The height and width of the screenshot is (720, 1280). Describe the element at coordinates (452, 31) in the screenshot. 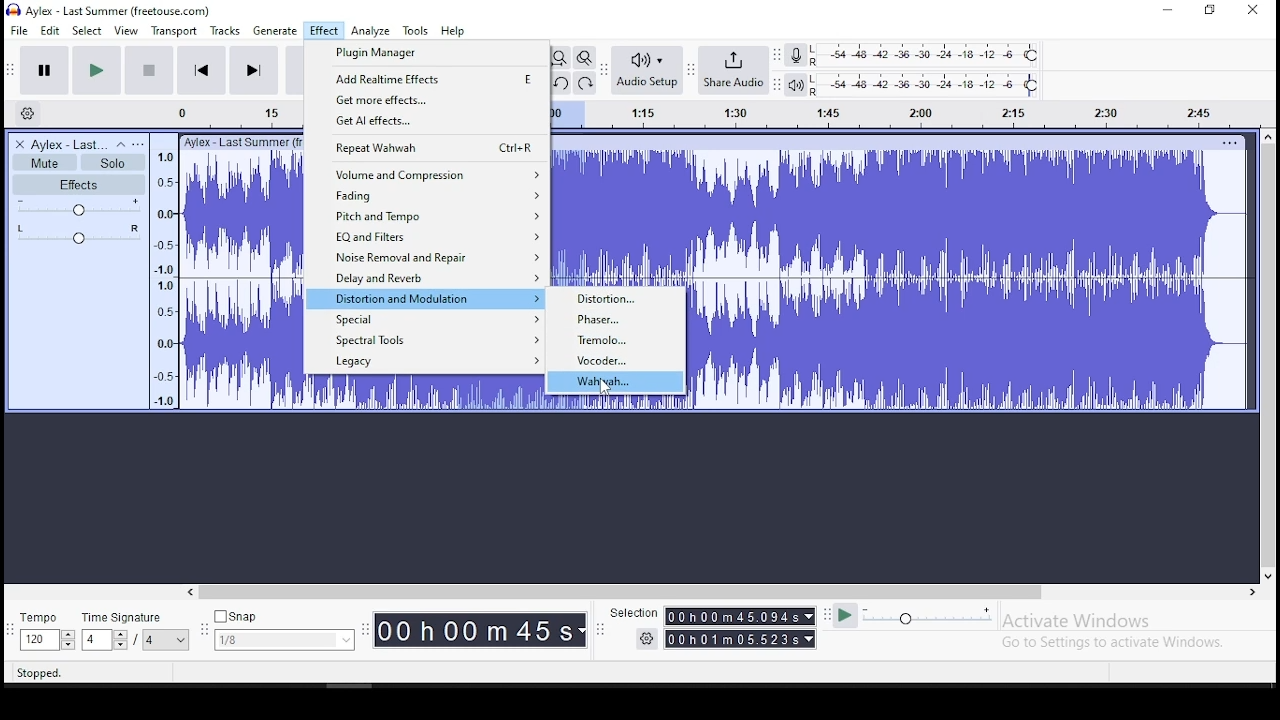

I see `help` at that location.